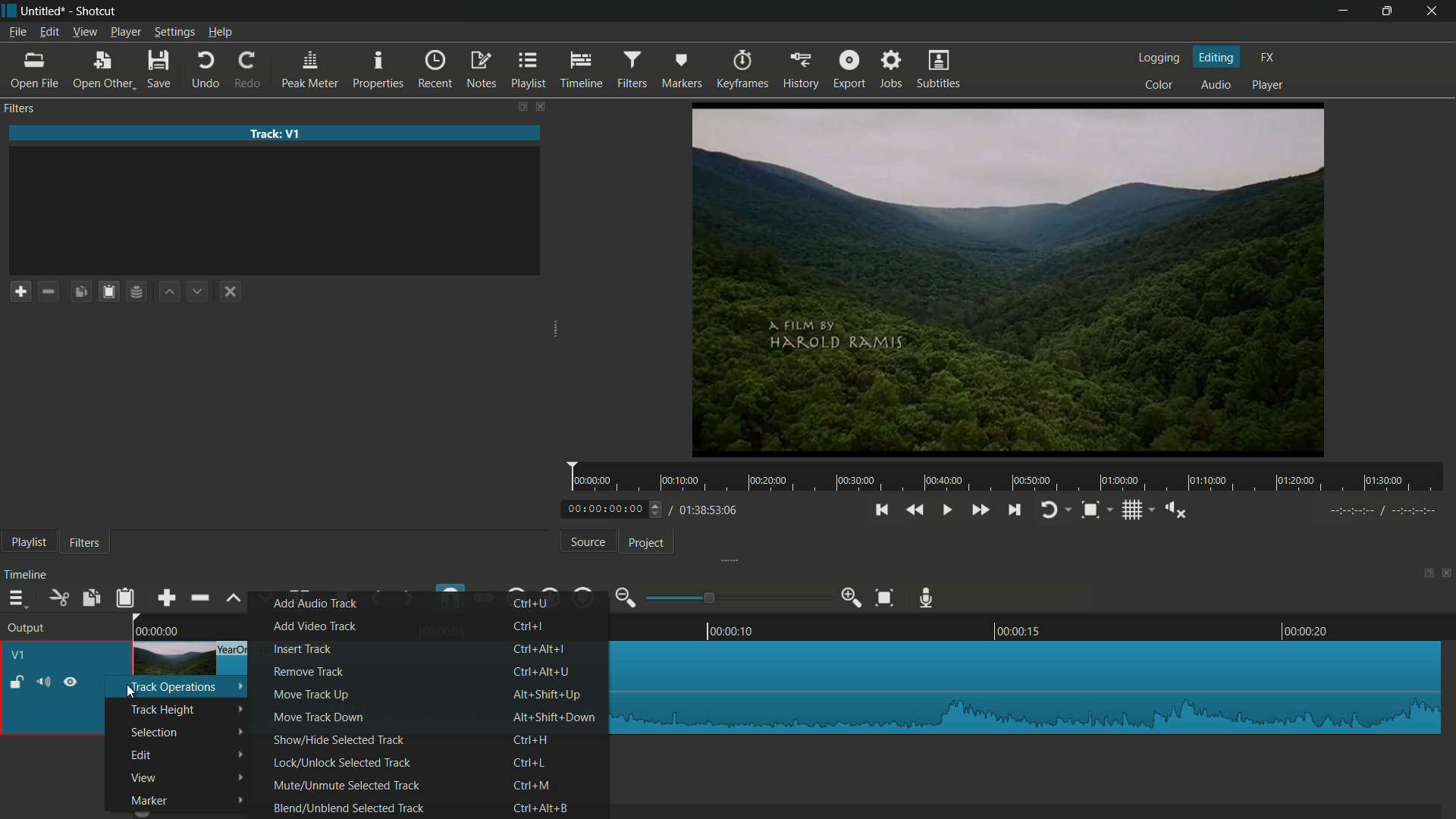  I want to click on audio, so click(1216, 84).